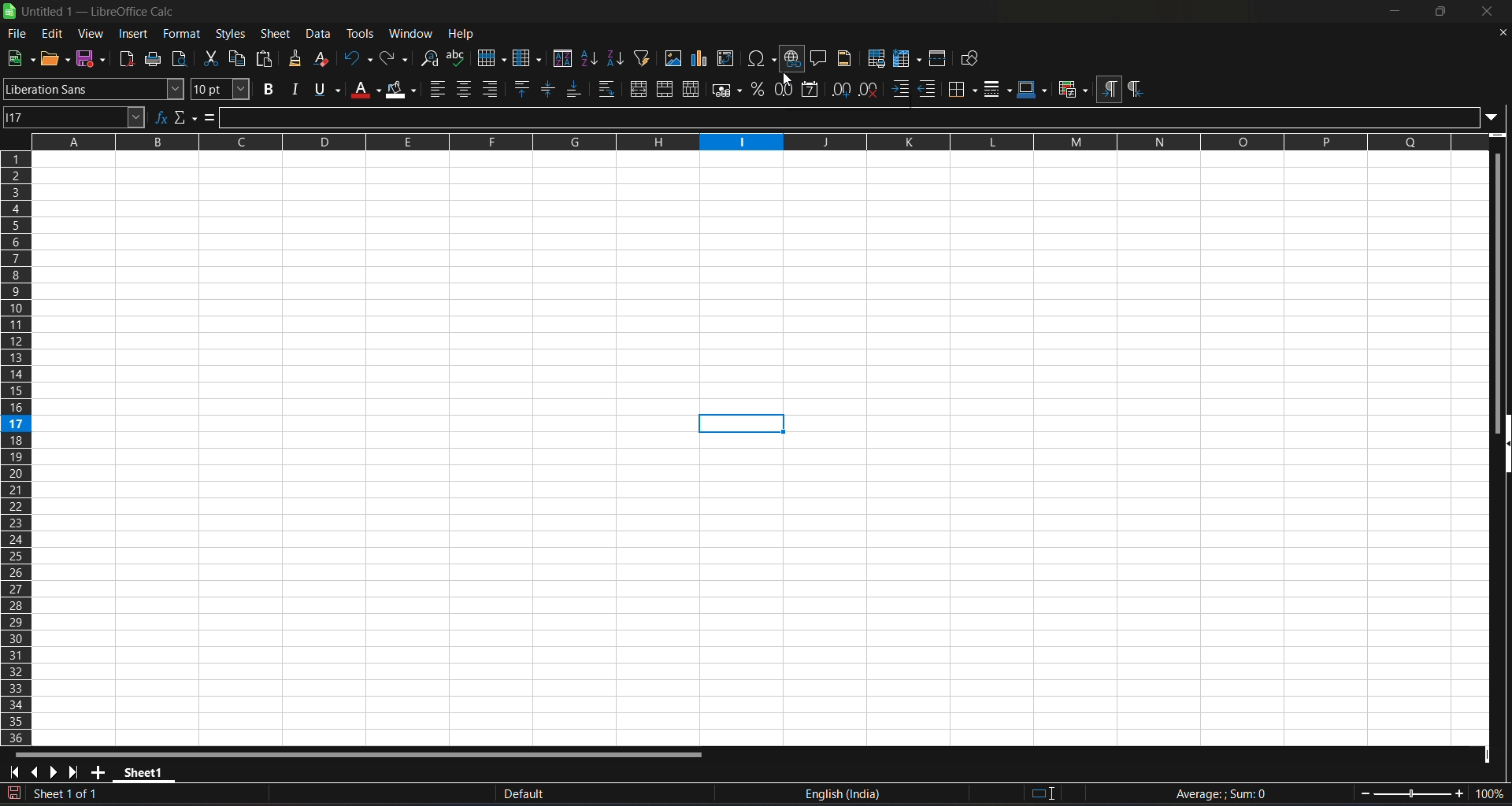  I want to click on redo, so click(396, 58).